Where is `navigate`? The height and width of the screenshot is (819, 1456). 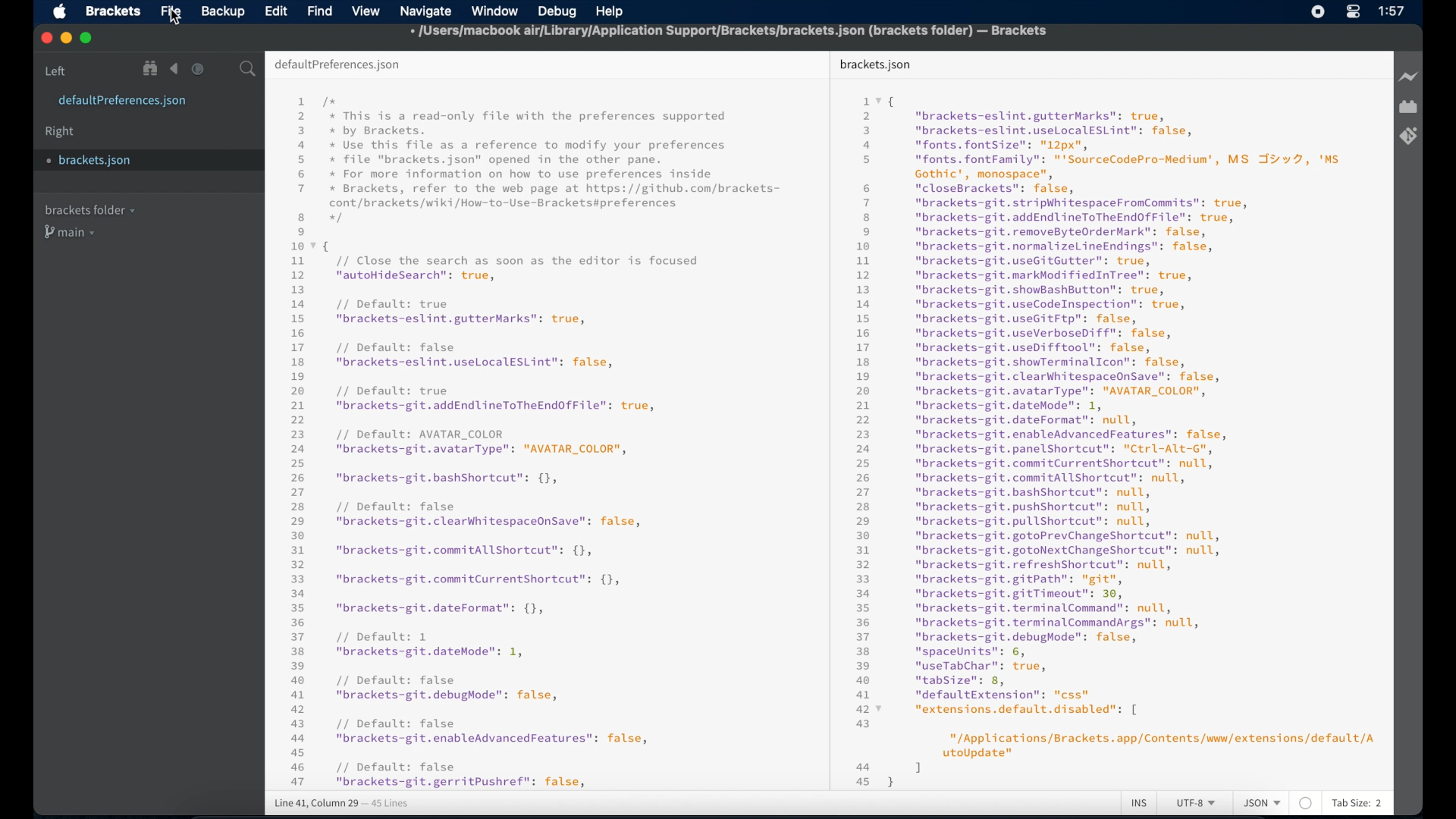 navigate is located at coordinates (424, 11).